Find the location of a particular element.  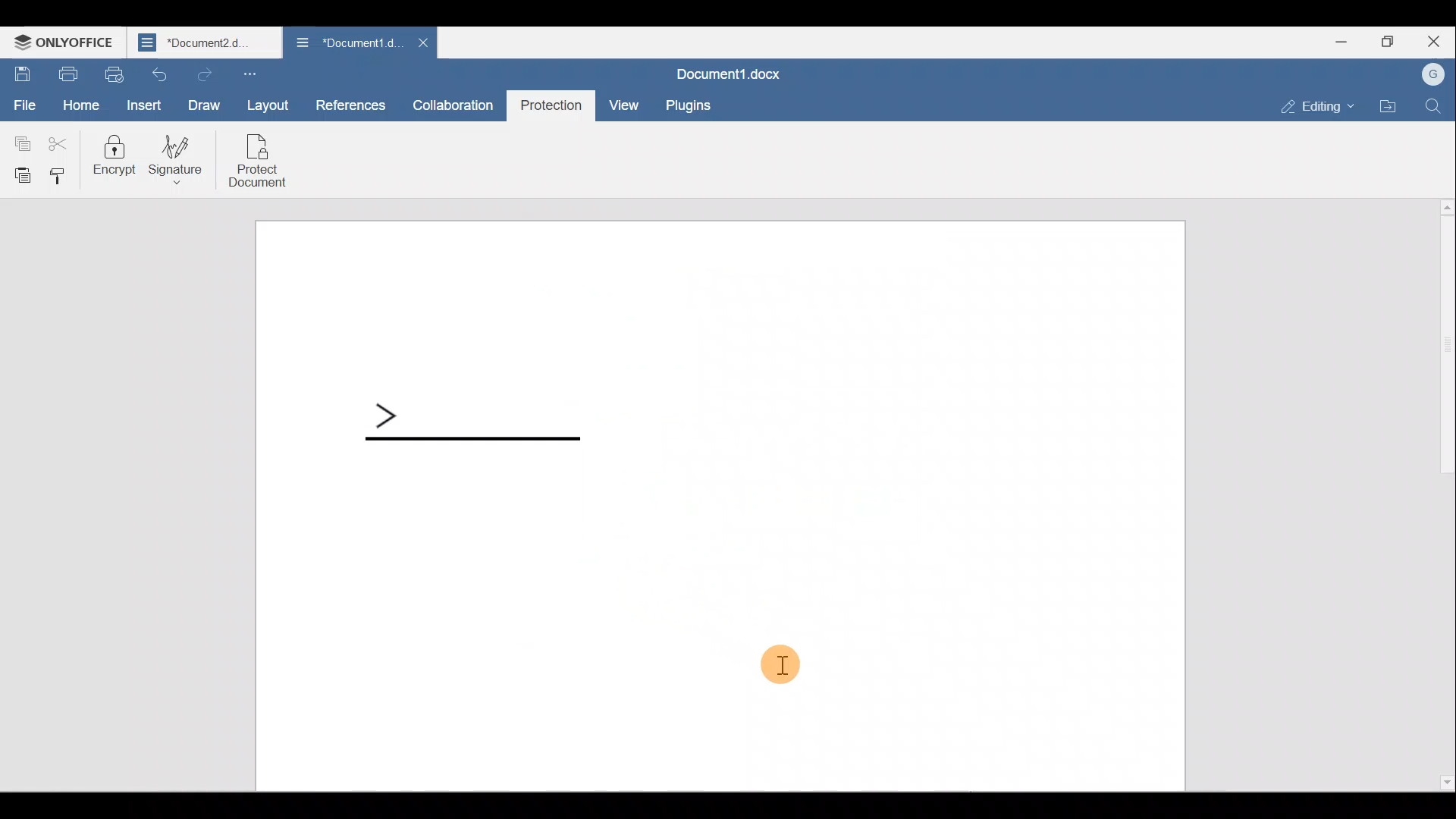

ONLYOFFICE is located at coordinates (64, 44).